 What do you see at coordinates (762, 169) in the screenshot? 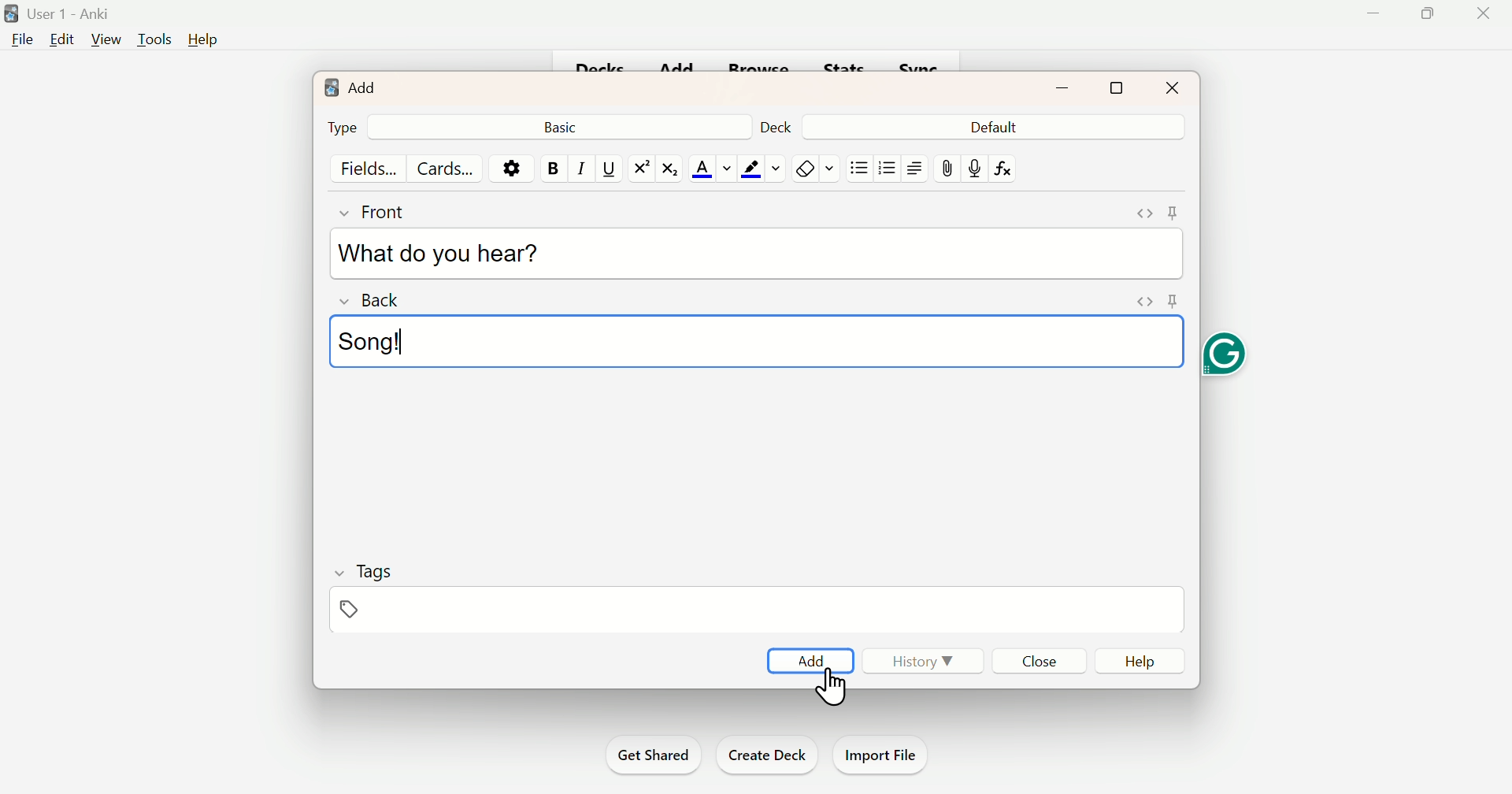
I see `Text Highlighting Color` at bounding box center [762, 169].